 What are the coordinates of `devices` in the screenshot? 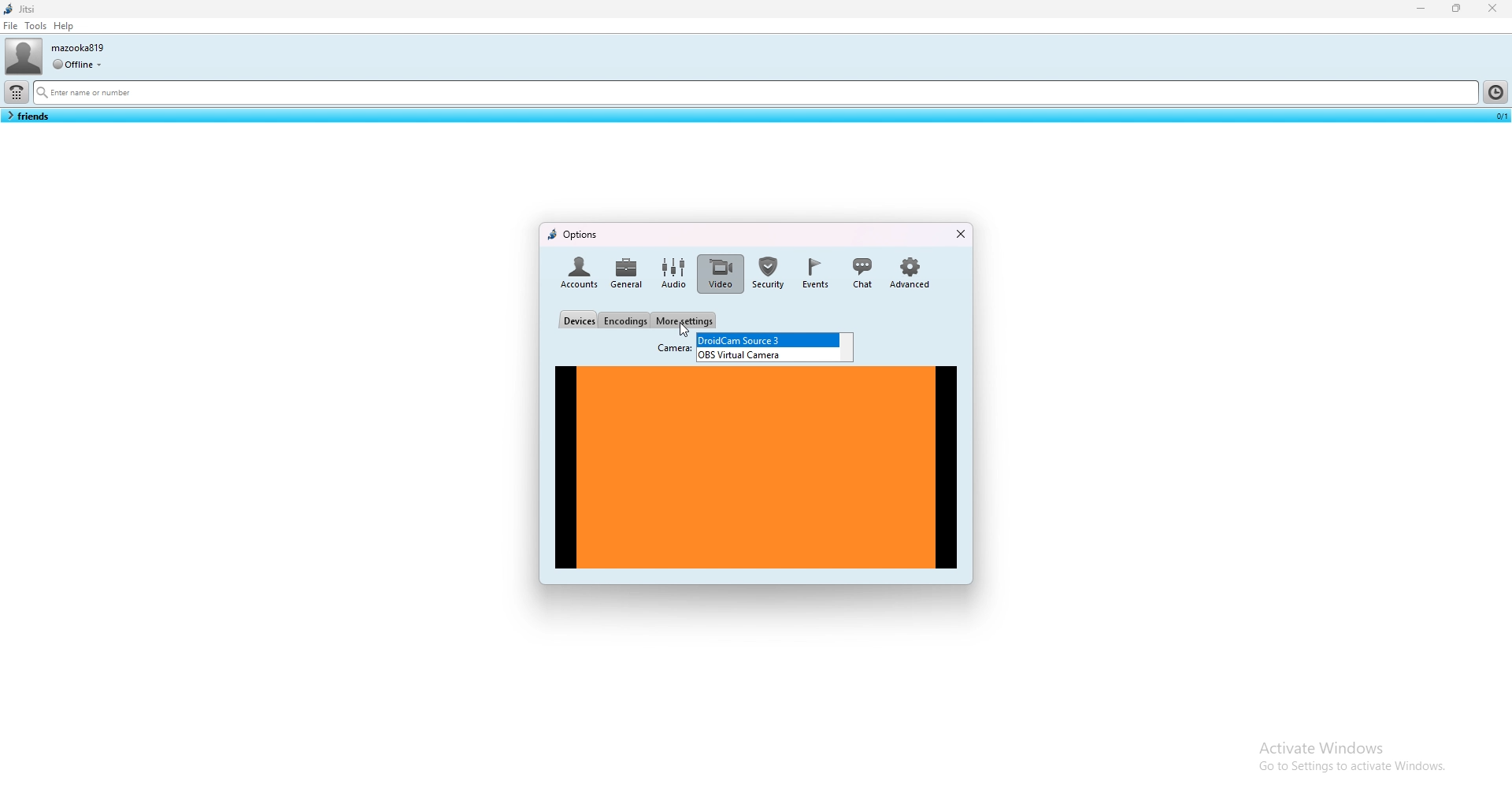 It's located at (578, 320).